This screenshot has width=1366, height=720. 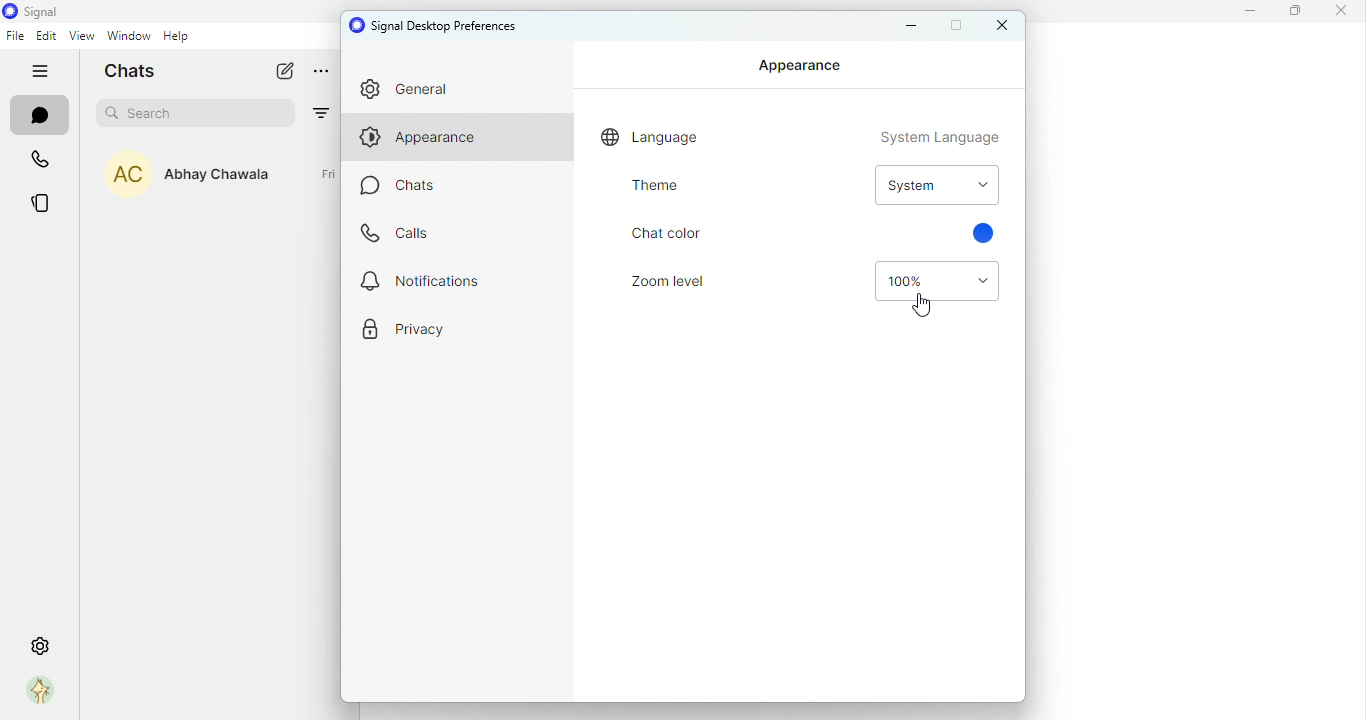 What do you see at coordinates (913, 26) in the screenshot?
I see `minimize` at bounding box center [913, 26].